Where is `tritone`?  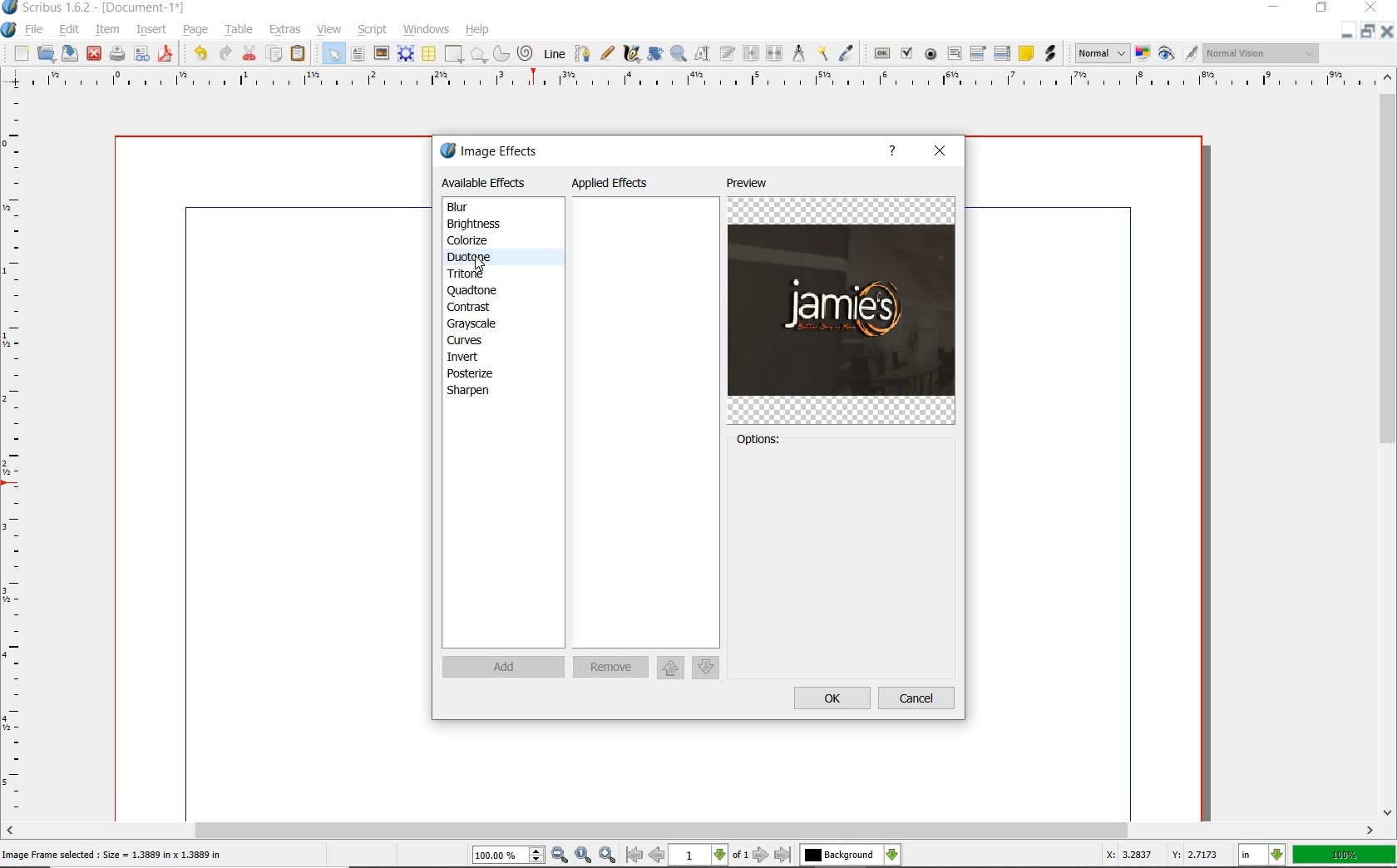 tritone is located at coordinates (467, 274).